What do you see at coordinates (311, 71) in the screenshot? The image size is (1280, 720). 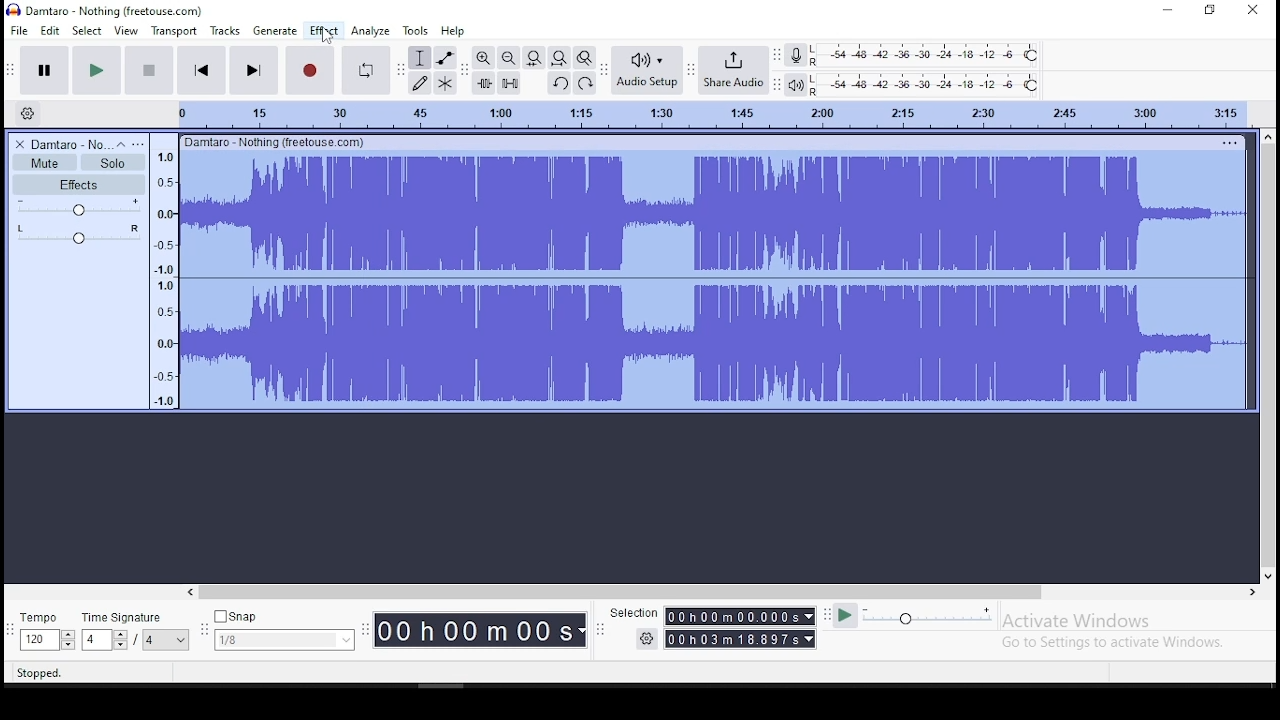 I see `record` at bounding box center [311, 71].